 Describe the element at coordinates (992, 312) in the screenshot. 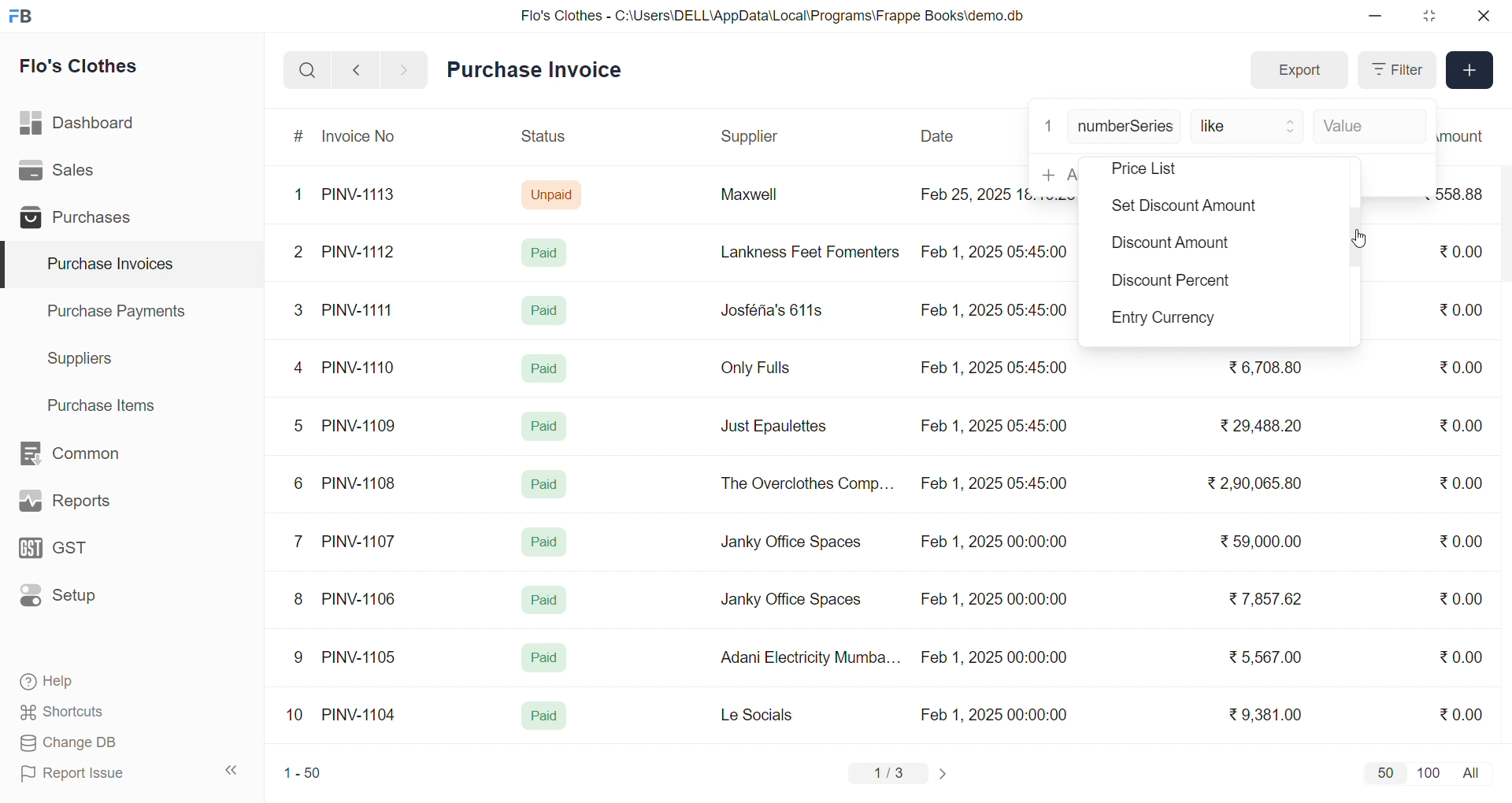

I see `Feb 1, 2025 05:45:00` at that location.